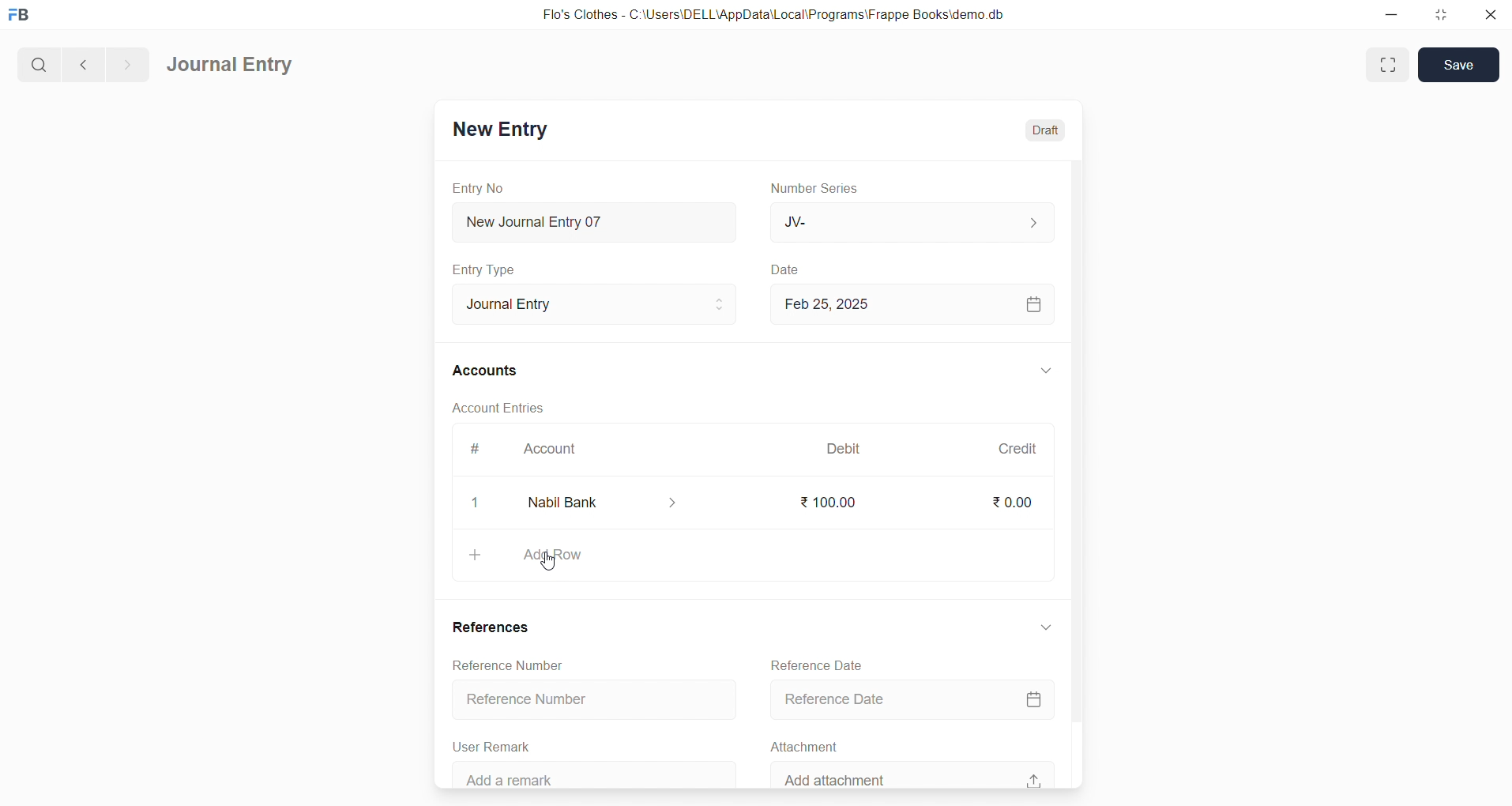 The height and width of the screenshot is (806, 1512). I want to click on closee, so click(476, 503).